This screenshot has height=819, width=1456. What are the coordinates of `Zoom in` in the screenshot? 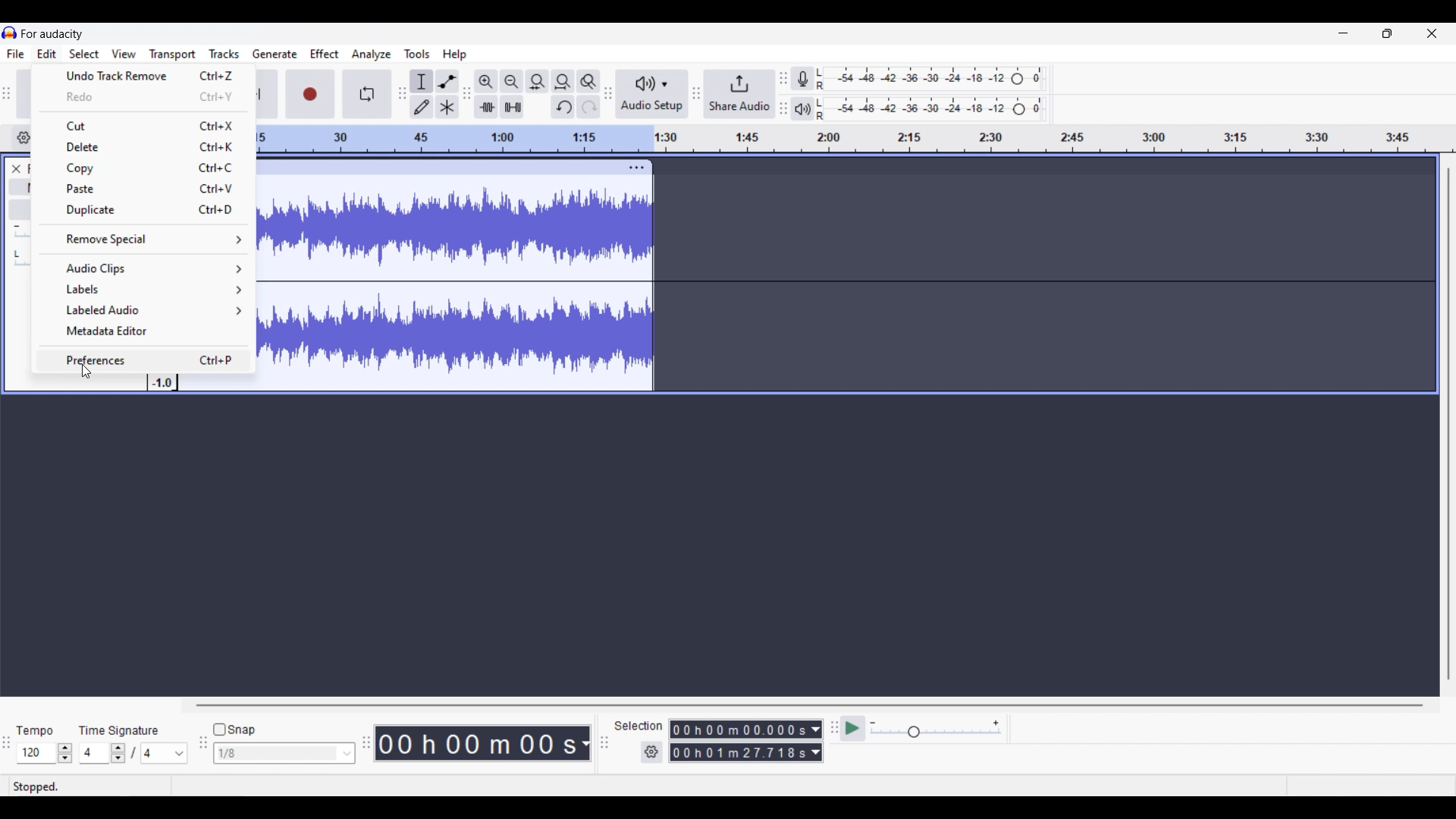 It's located at (486, 82).